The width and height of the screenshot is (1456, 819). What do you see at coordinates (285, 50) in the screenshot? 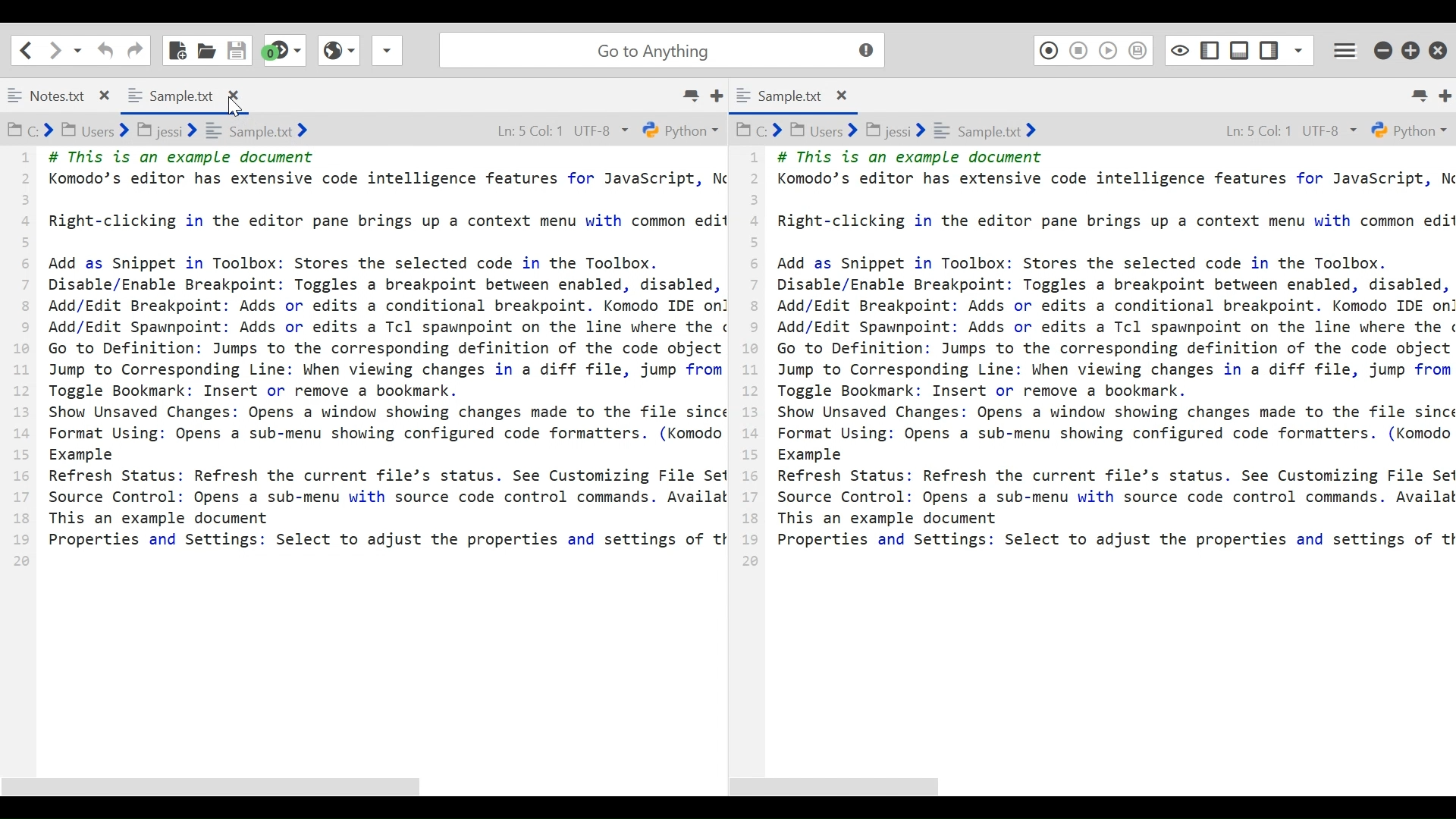
I see `Jump to the next syntax checking result` at bounding box center [285, 50].